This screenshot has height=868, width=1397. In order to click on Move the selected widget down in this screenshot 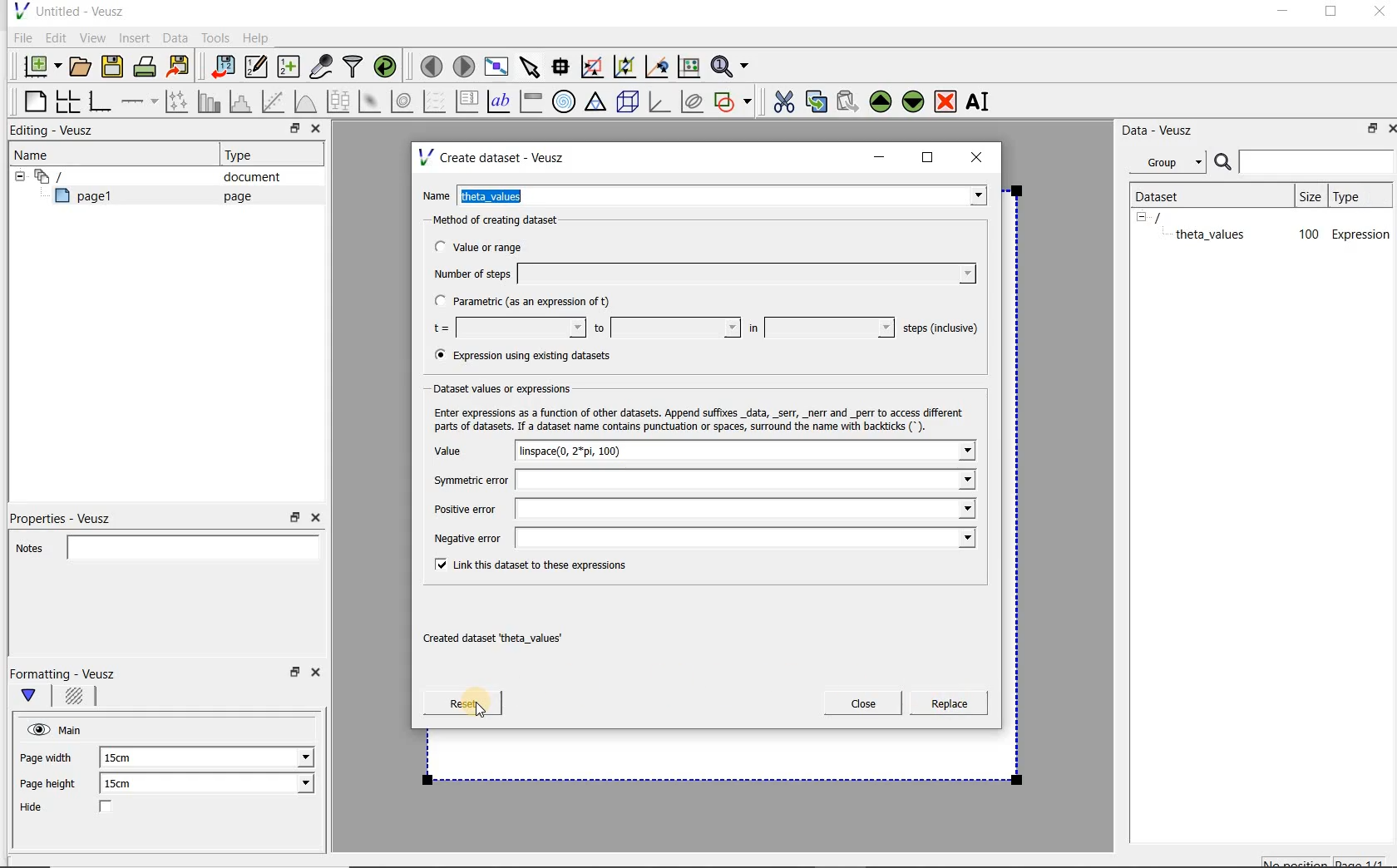, I will do `click(914, 101)`.